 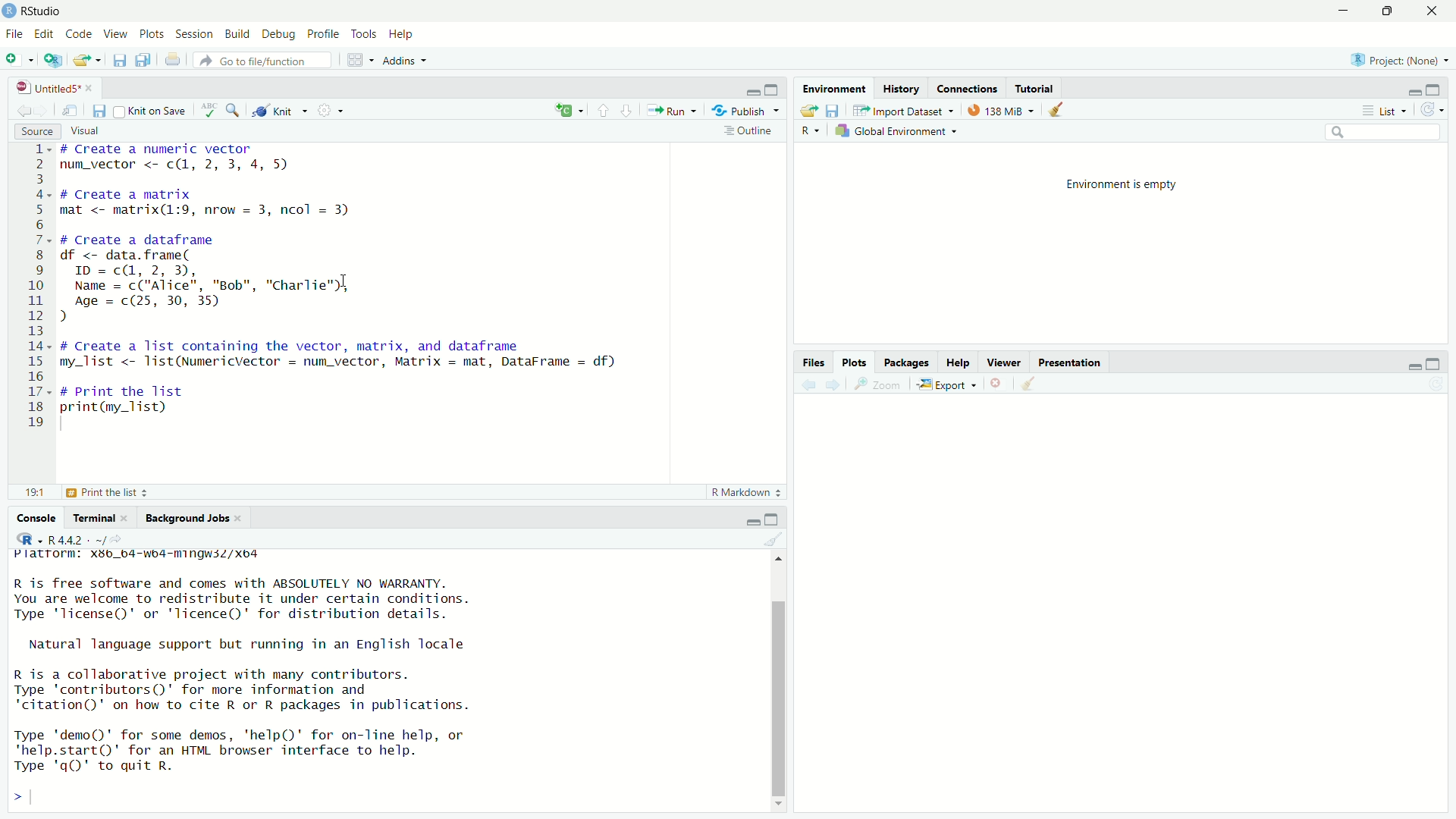 I want to click on maximise, so click(x=1385, y=11).